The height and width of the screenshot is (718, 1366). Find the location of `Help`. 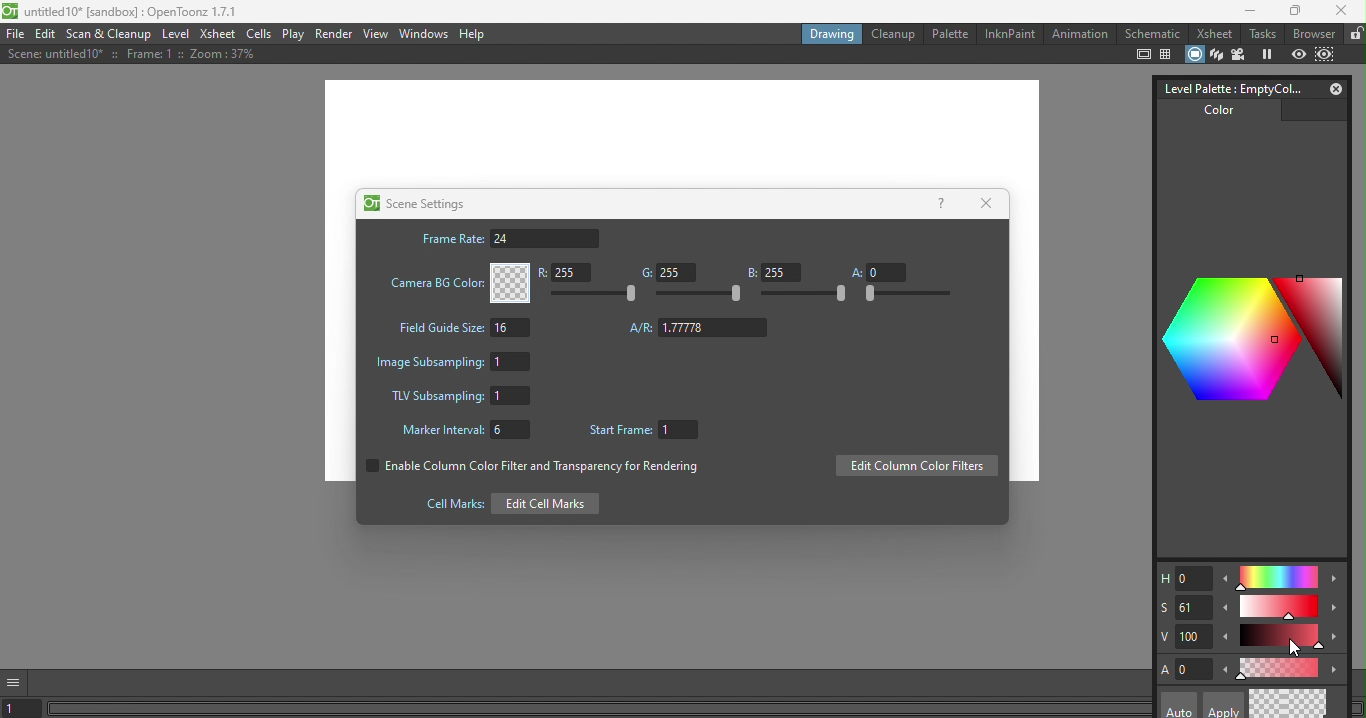

Help is located at coordinates (475, 34).